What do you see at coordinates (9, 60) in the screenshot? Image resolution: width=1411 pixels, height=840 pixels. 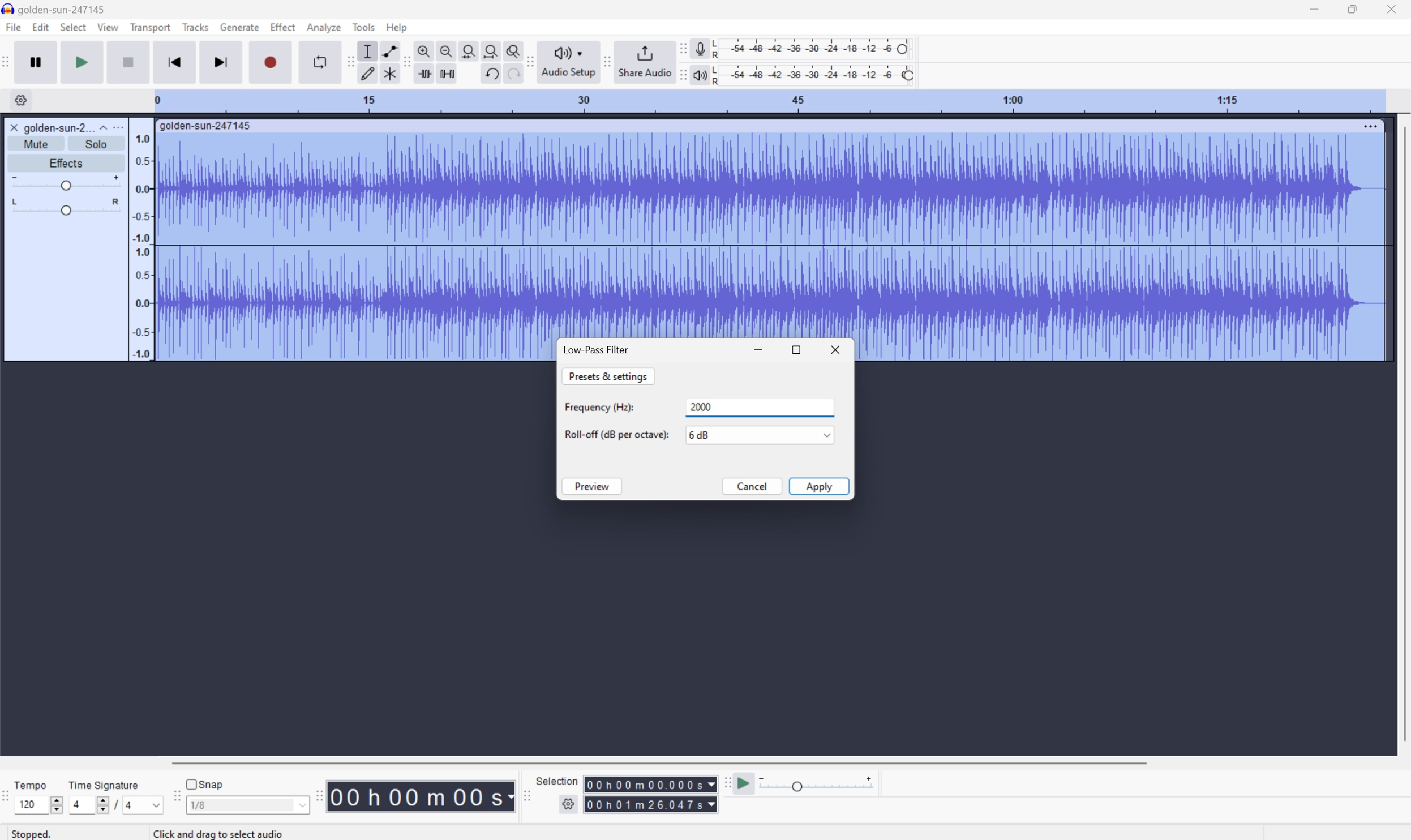 I see `Audacity transport toolbar` at bounding box center [9, 60].